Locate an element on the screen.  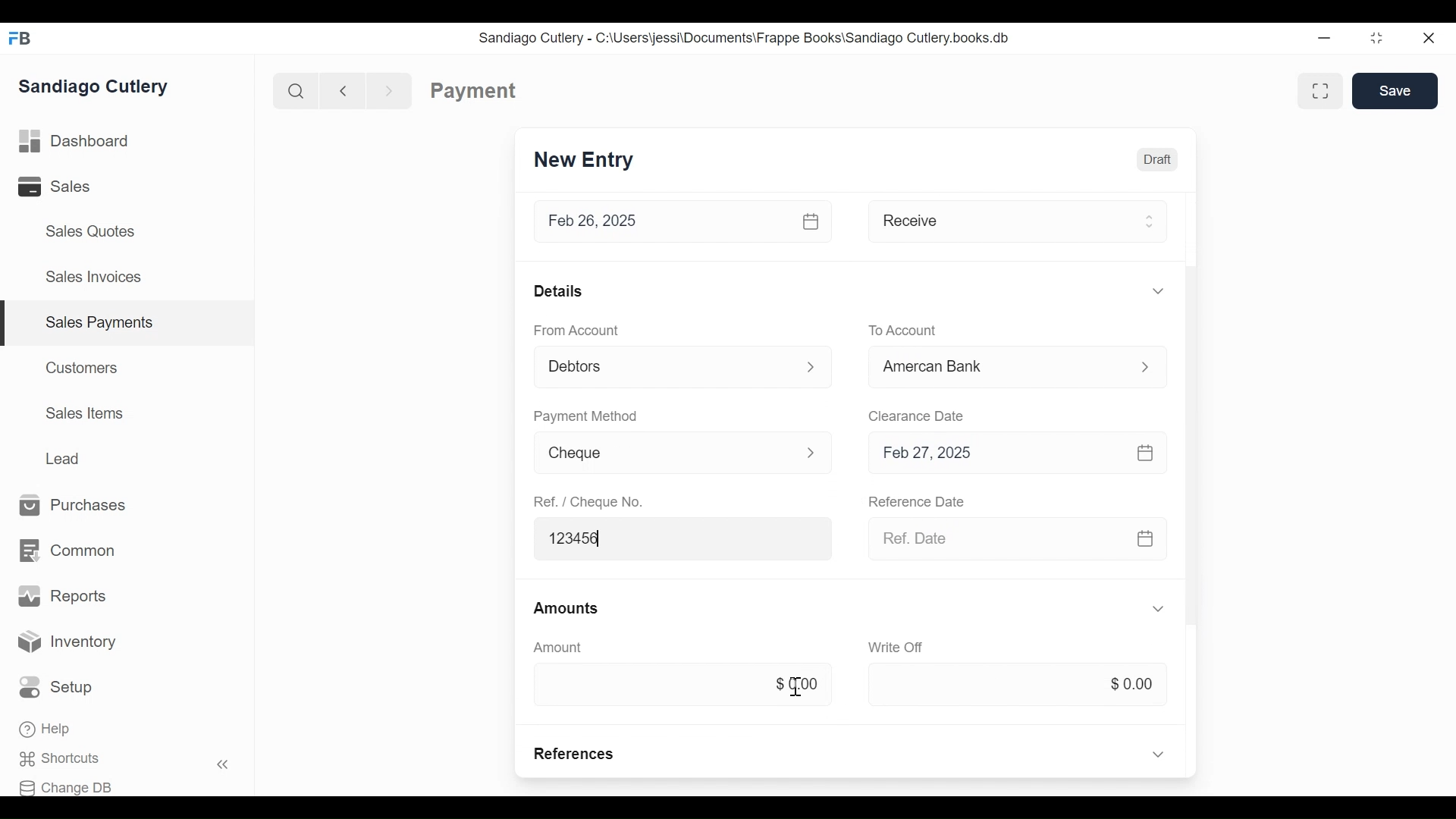
Change DB is located at coordinates (71, 786).